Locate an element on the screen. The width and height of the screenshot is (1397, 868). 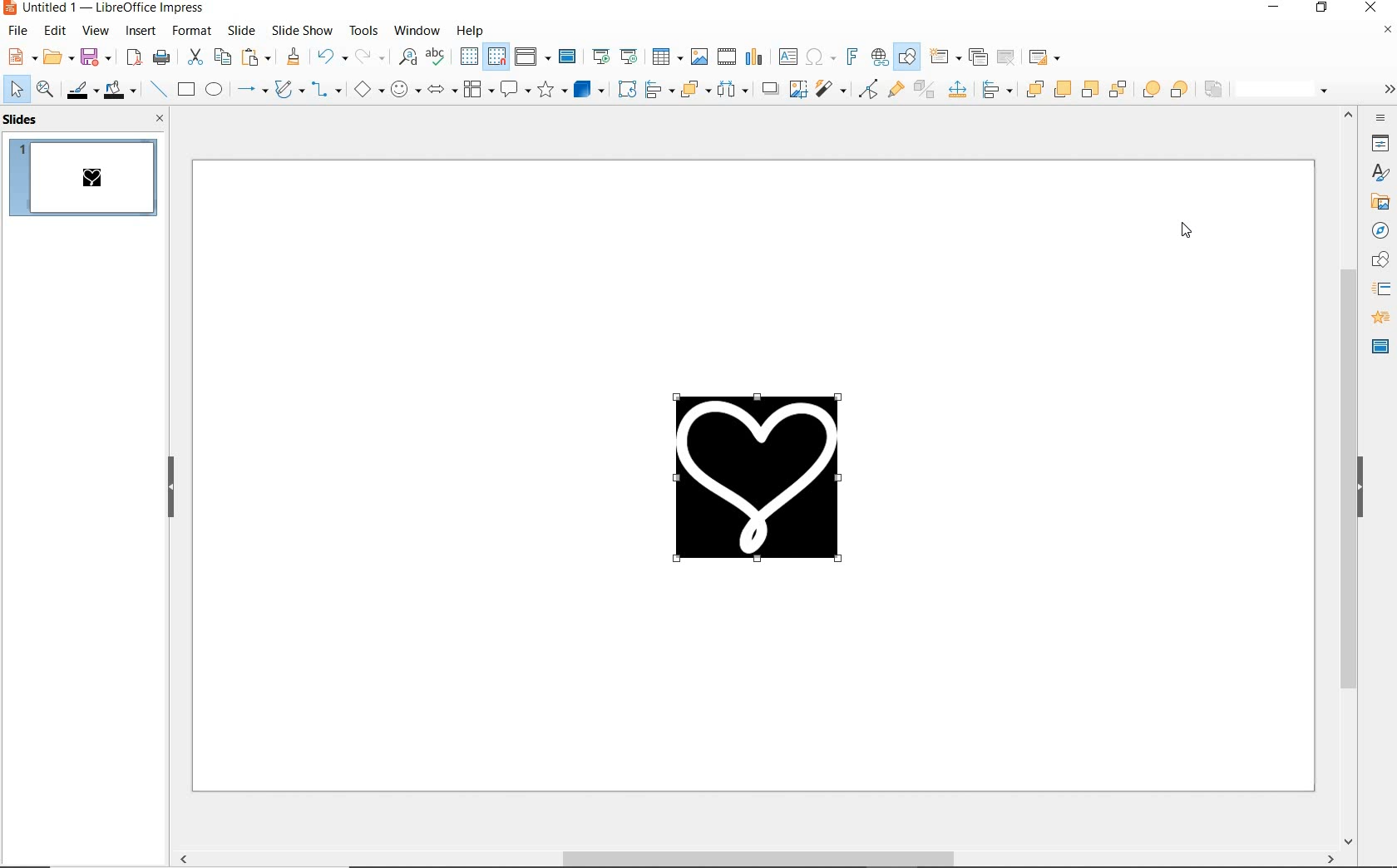
STYLES is located at coordinates (1381, 287).